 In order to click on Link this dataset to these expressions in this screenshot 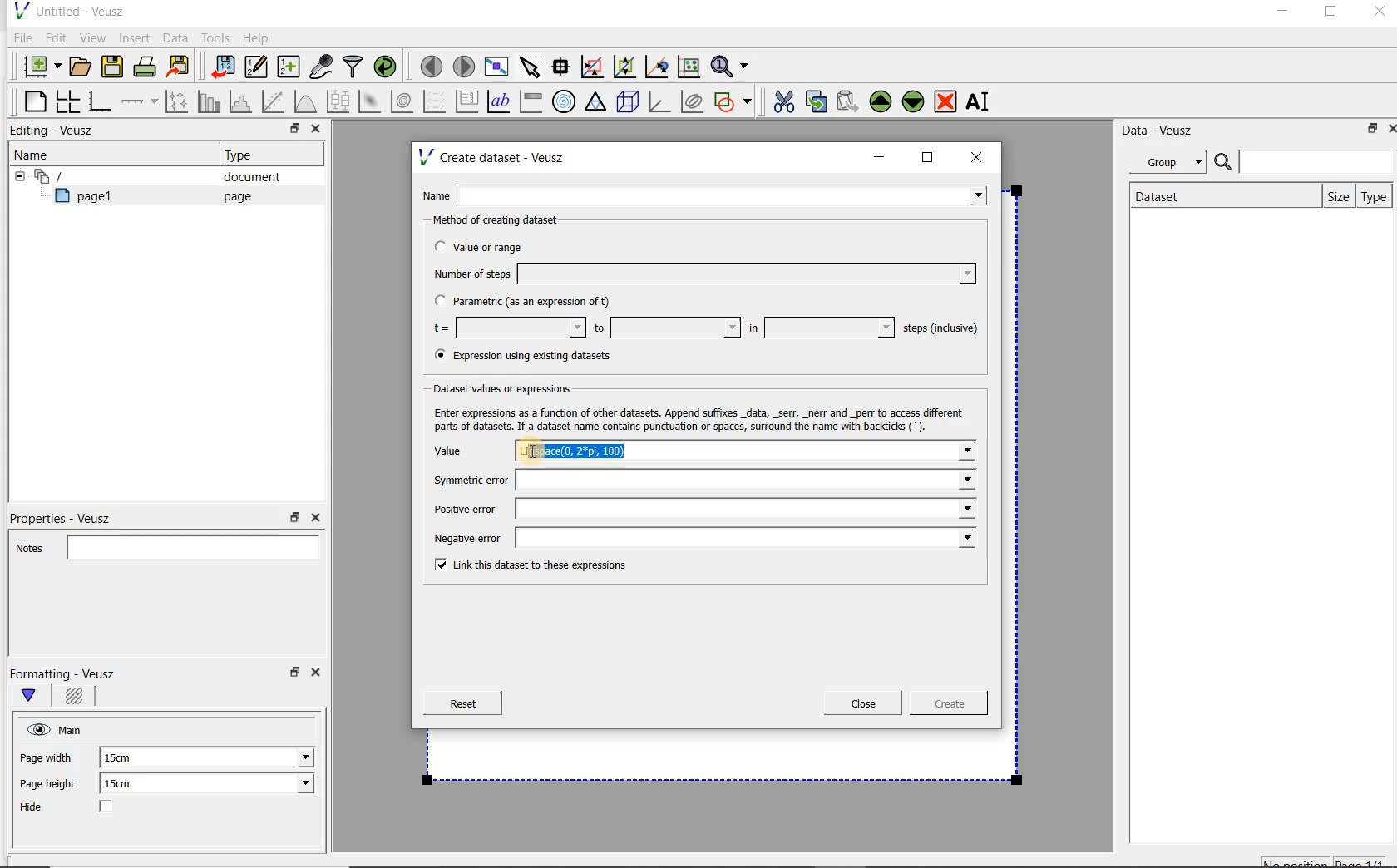, I will do `click(526, 566)`.